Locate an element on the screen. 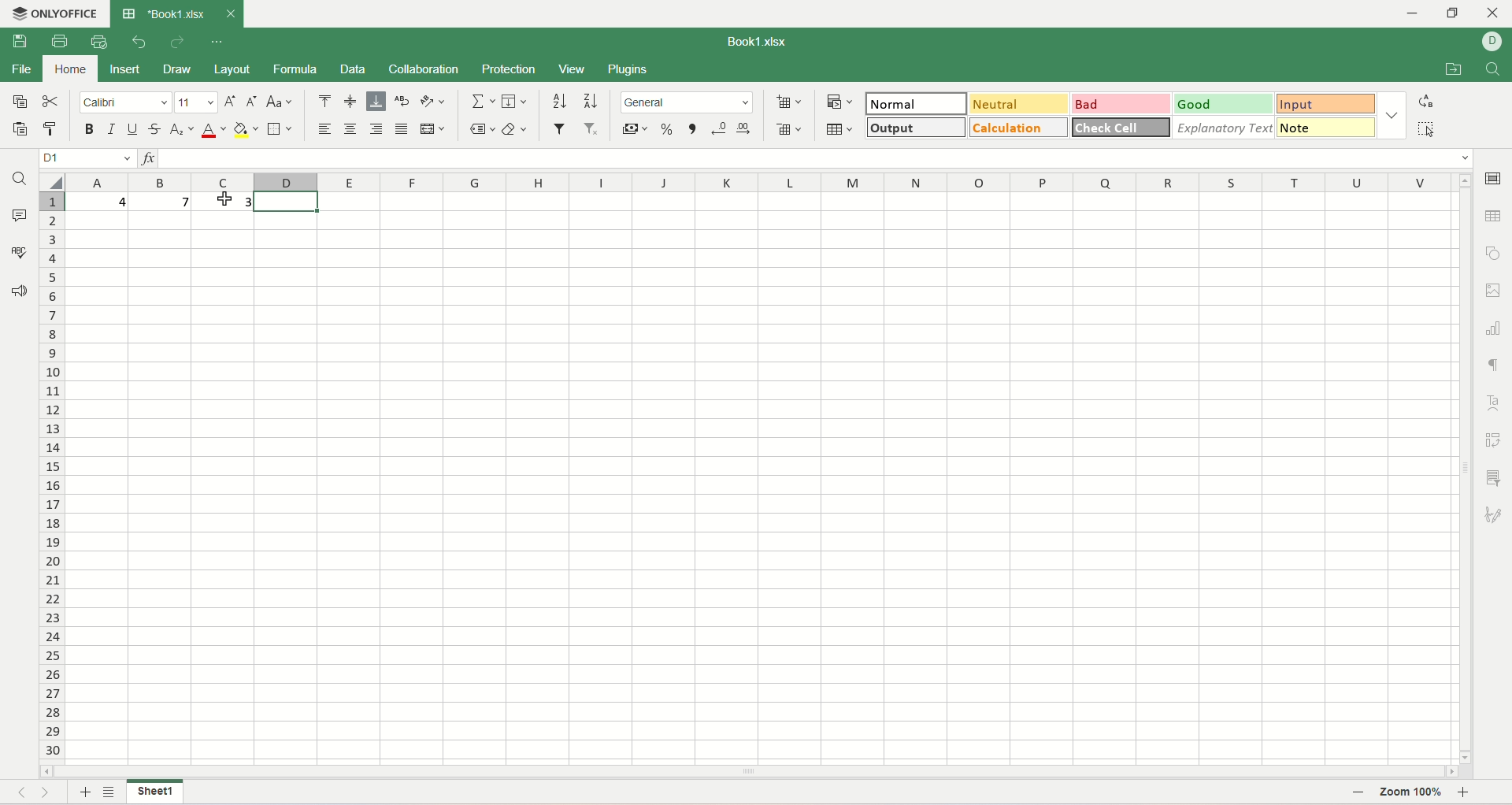  find is located at coordinates (1495, 69).